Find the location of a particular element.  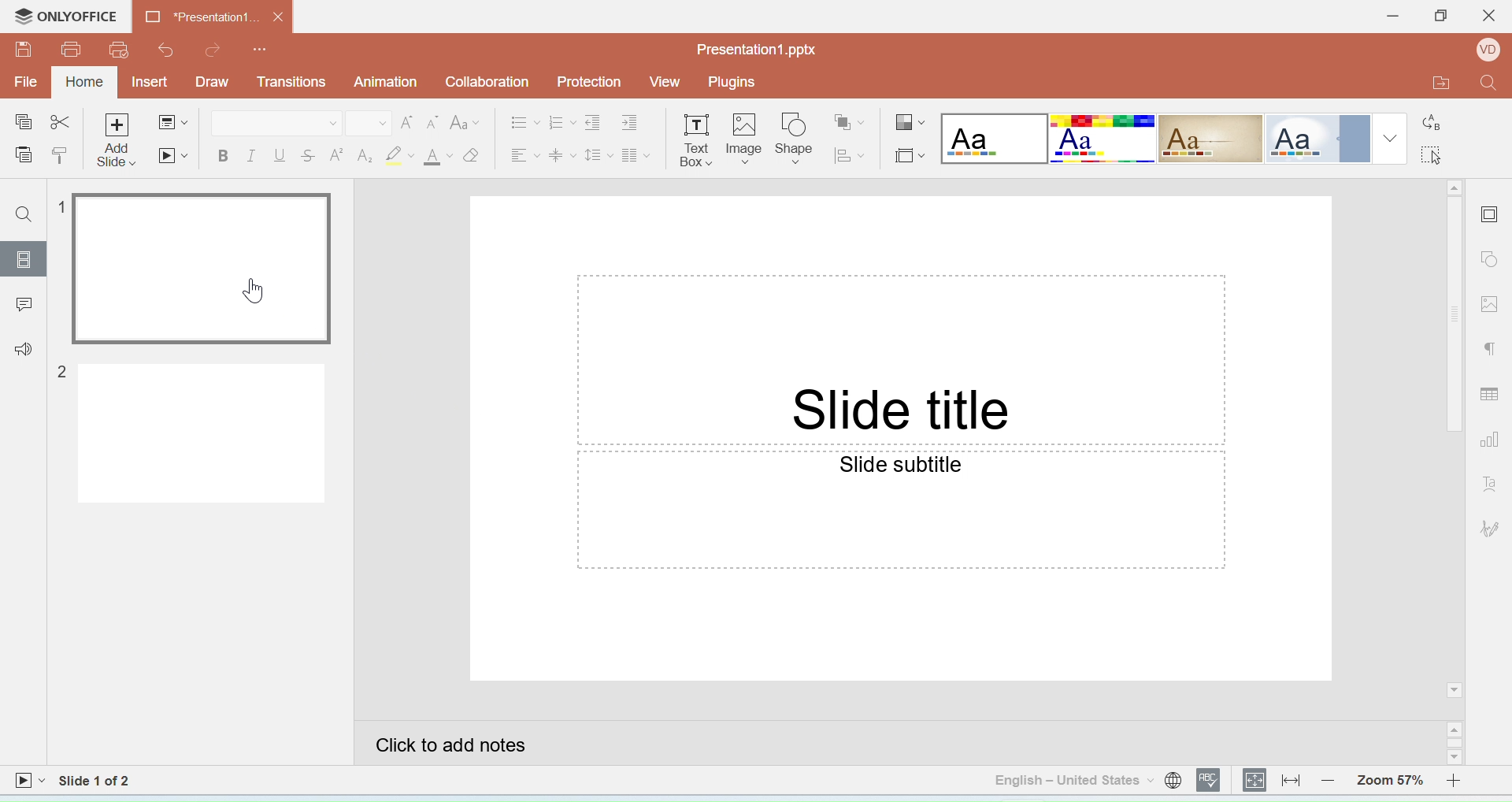

Slide 2 is located at coordinates (188, 433).